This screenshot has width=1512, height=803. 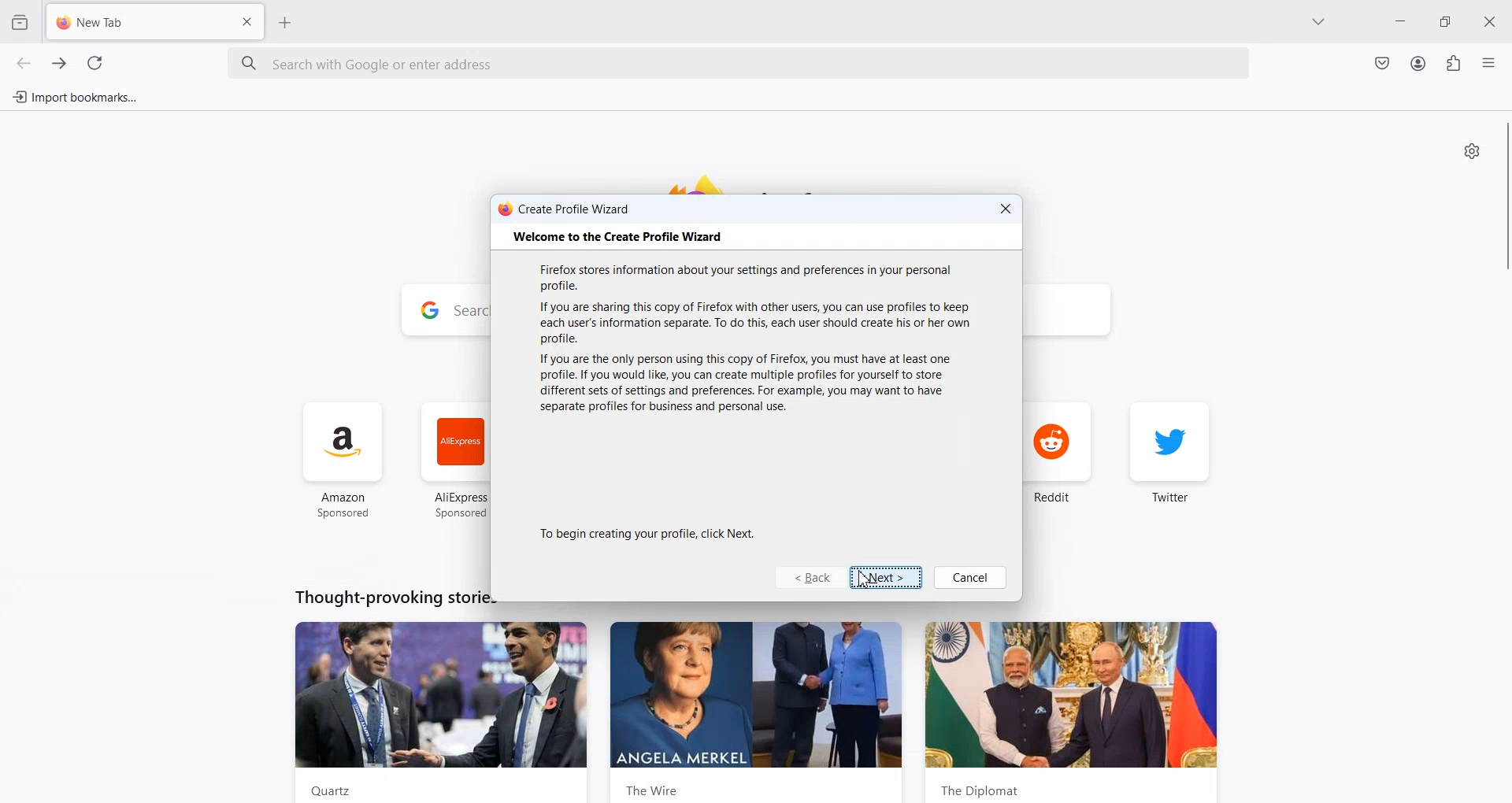 What do you see at coordinates (346, 461) in the screenshot?
I see `amazon` at bounding box center [346, 461].